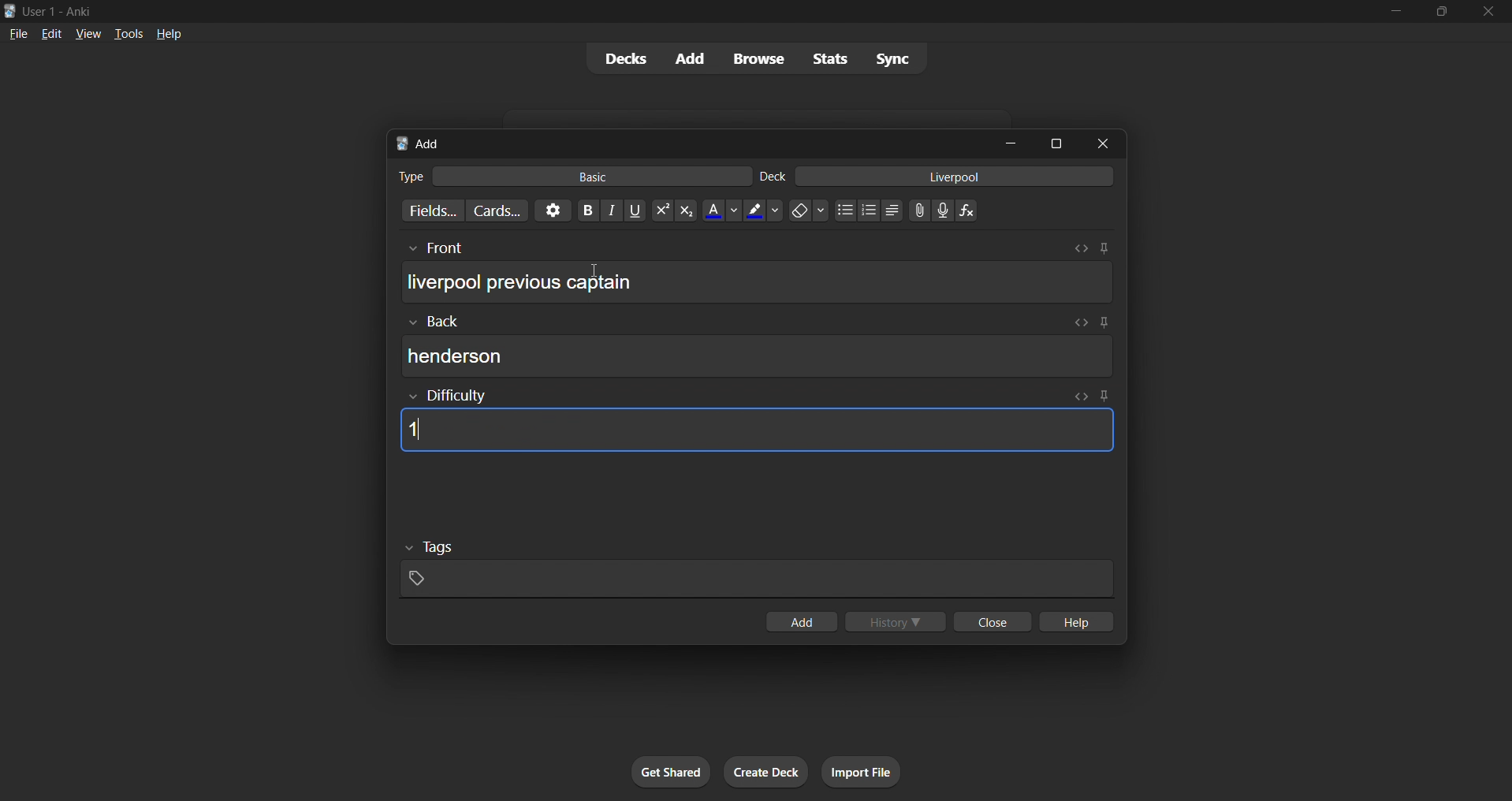  What do you see at coordinates (757, 564) in the screenshot?
I see `card tags input box` at bounding box center [757, 564].